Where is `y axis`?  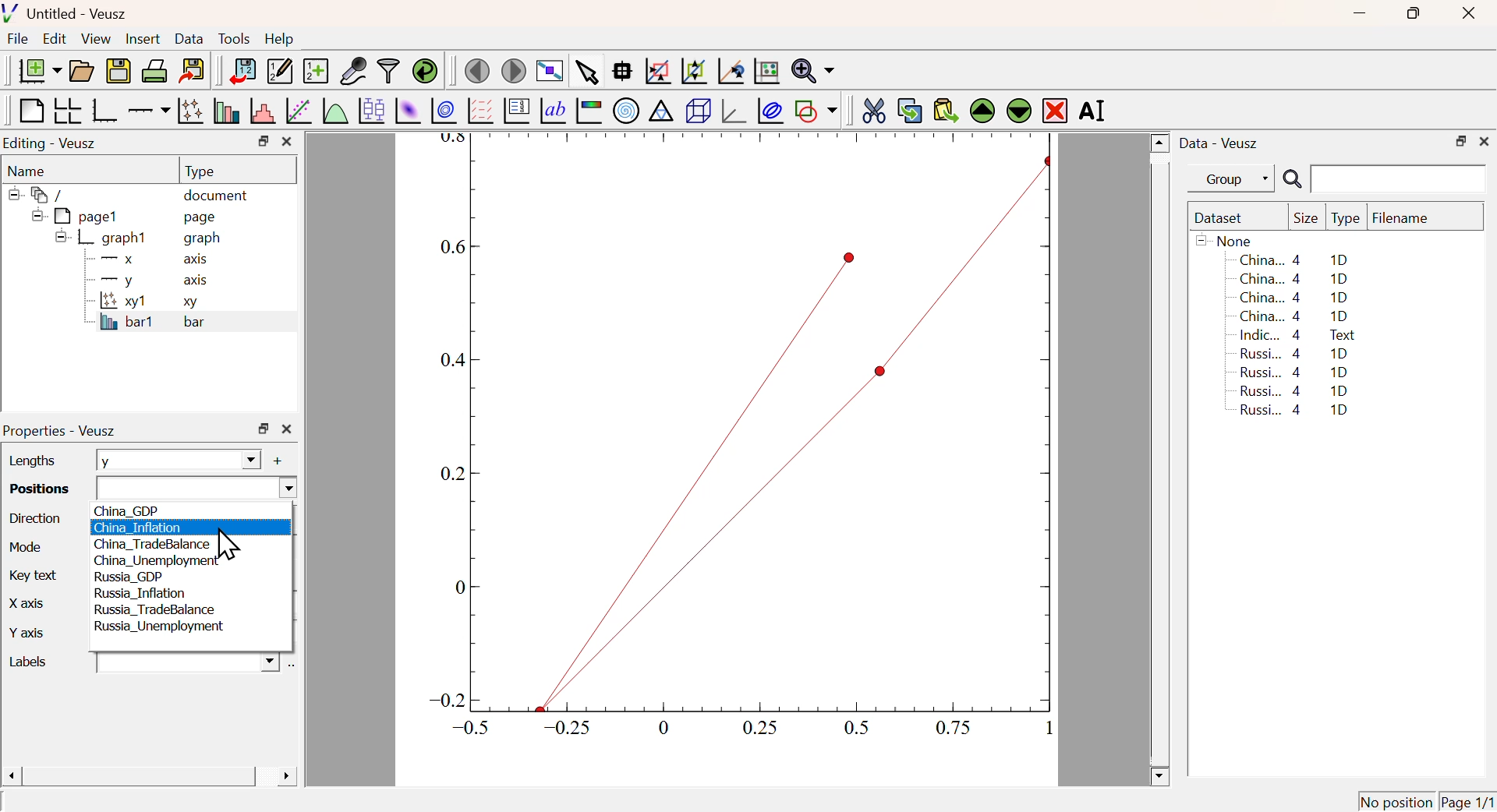 y axis is located at coordinates (147, 280).